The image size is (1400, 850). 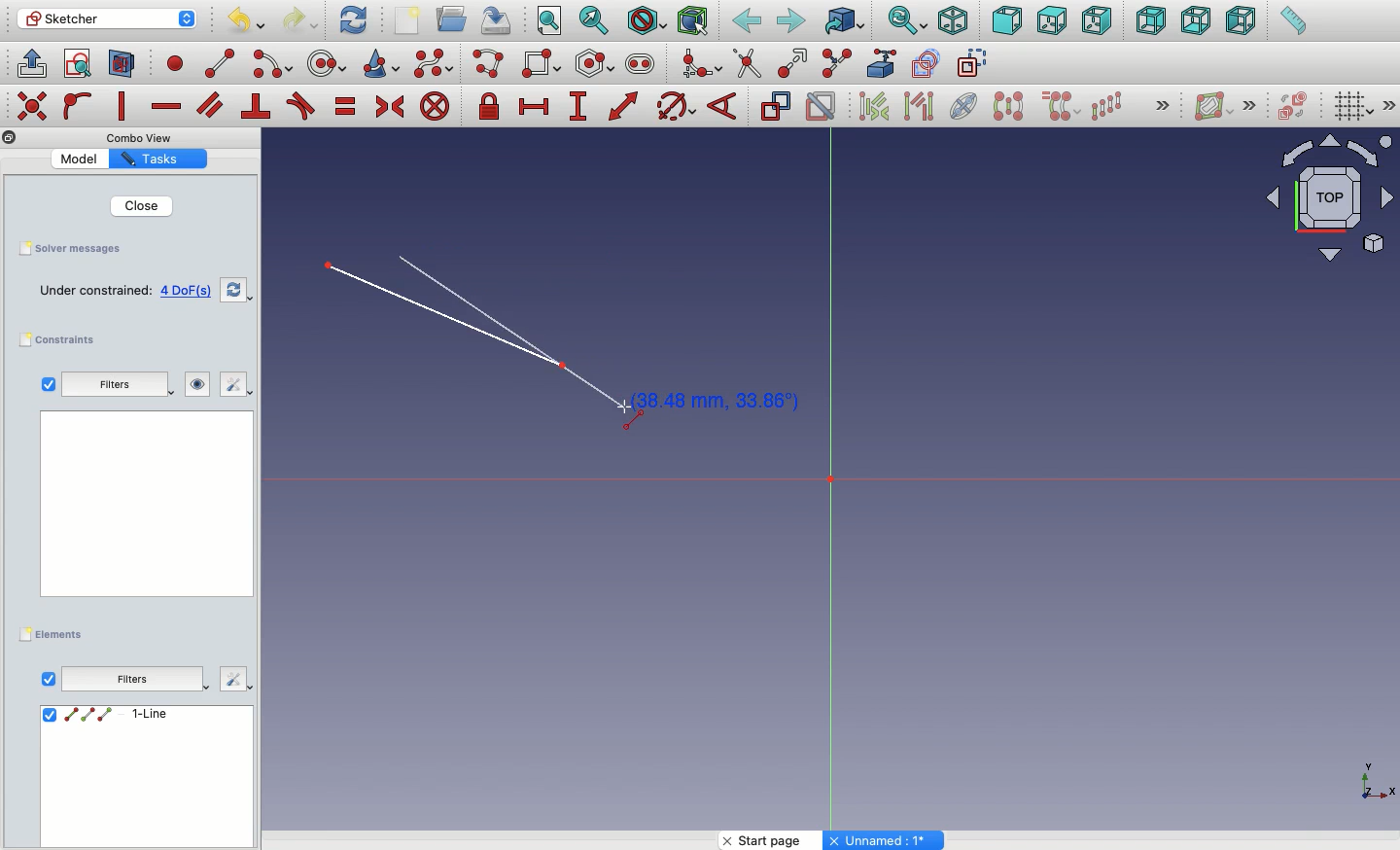 I want to click on Split edge, so click(x=838, y=62).